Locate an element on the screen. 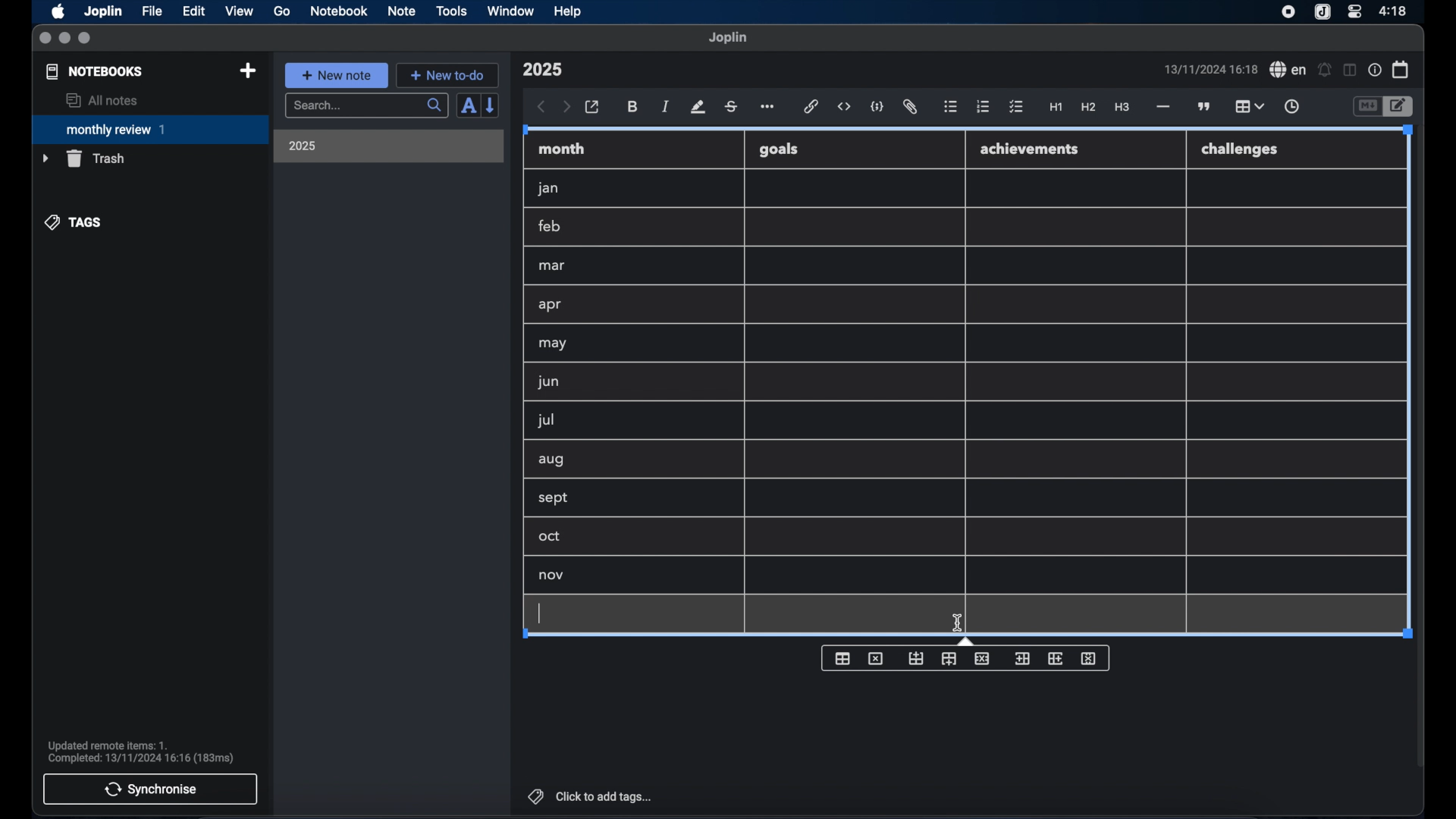 This screenshot has height=819, width=1456. joplin icon is located at coordinates (1321, 13).